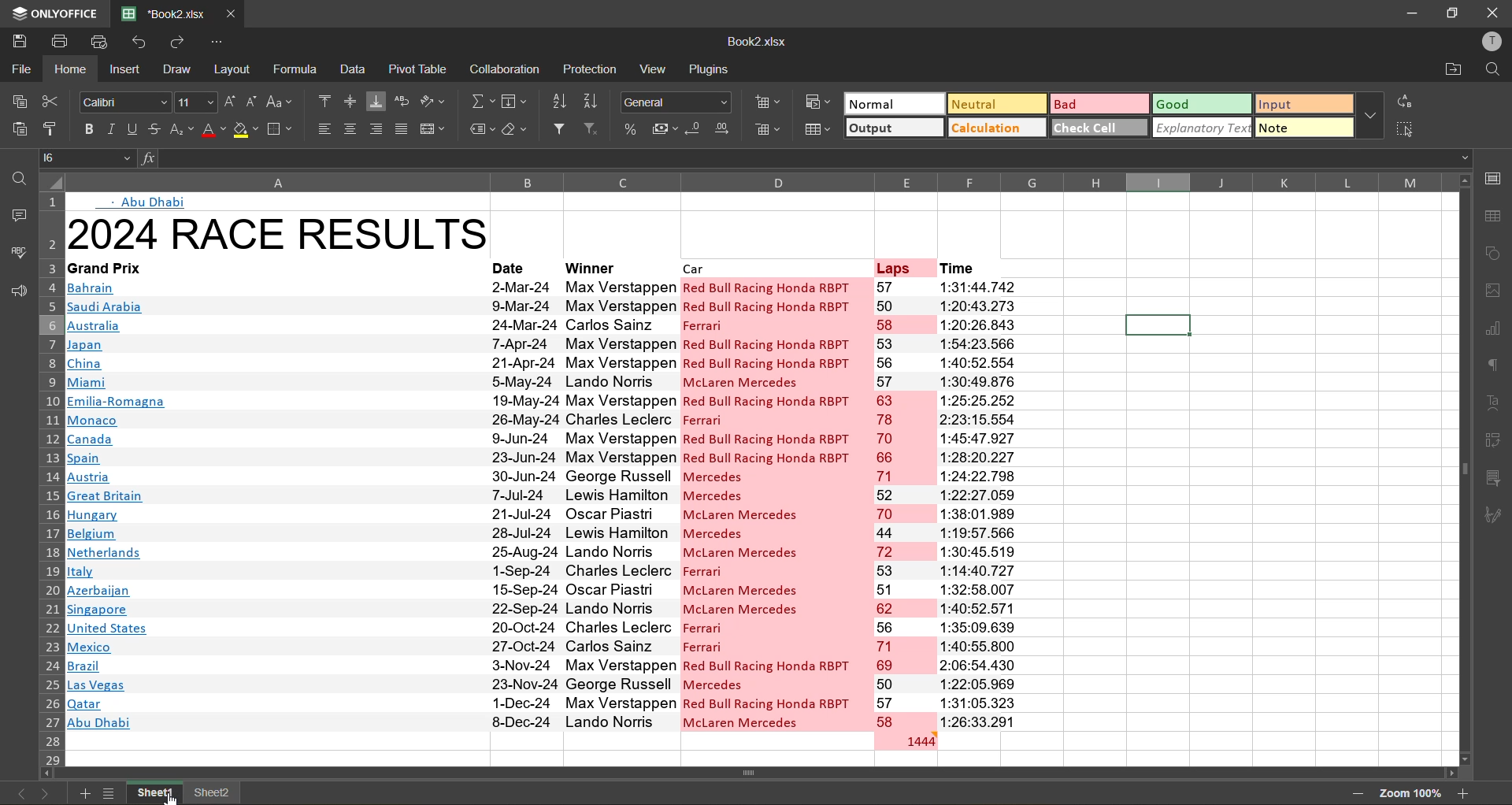 The height and width of the screenshot is (805, 1512). What do you see at coordinates (484, 100) in the screenshot?
I see `summation` at bounding box center [484, 100].